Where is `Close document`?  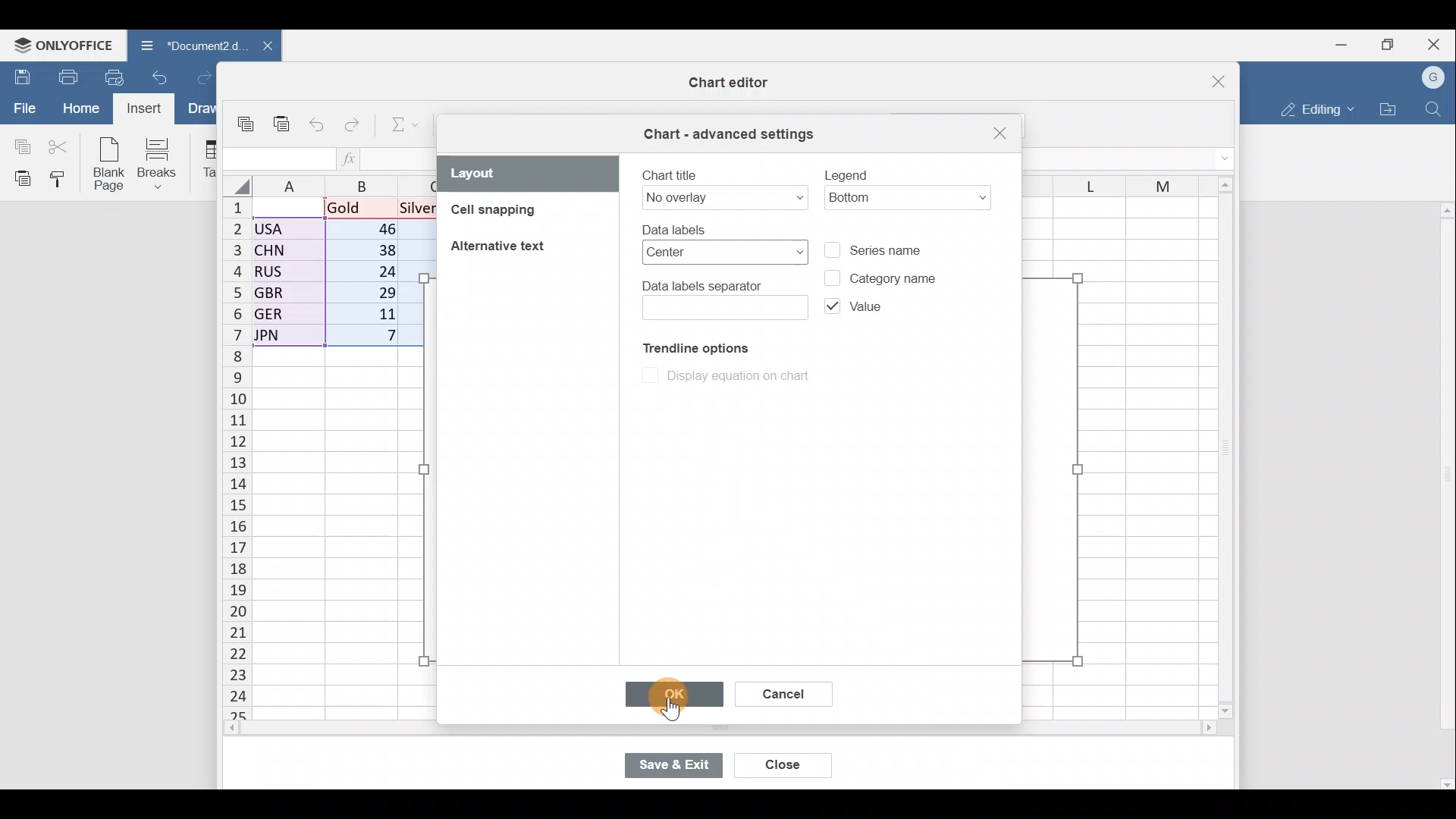 Close document is located at coordinates (265, 47).